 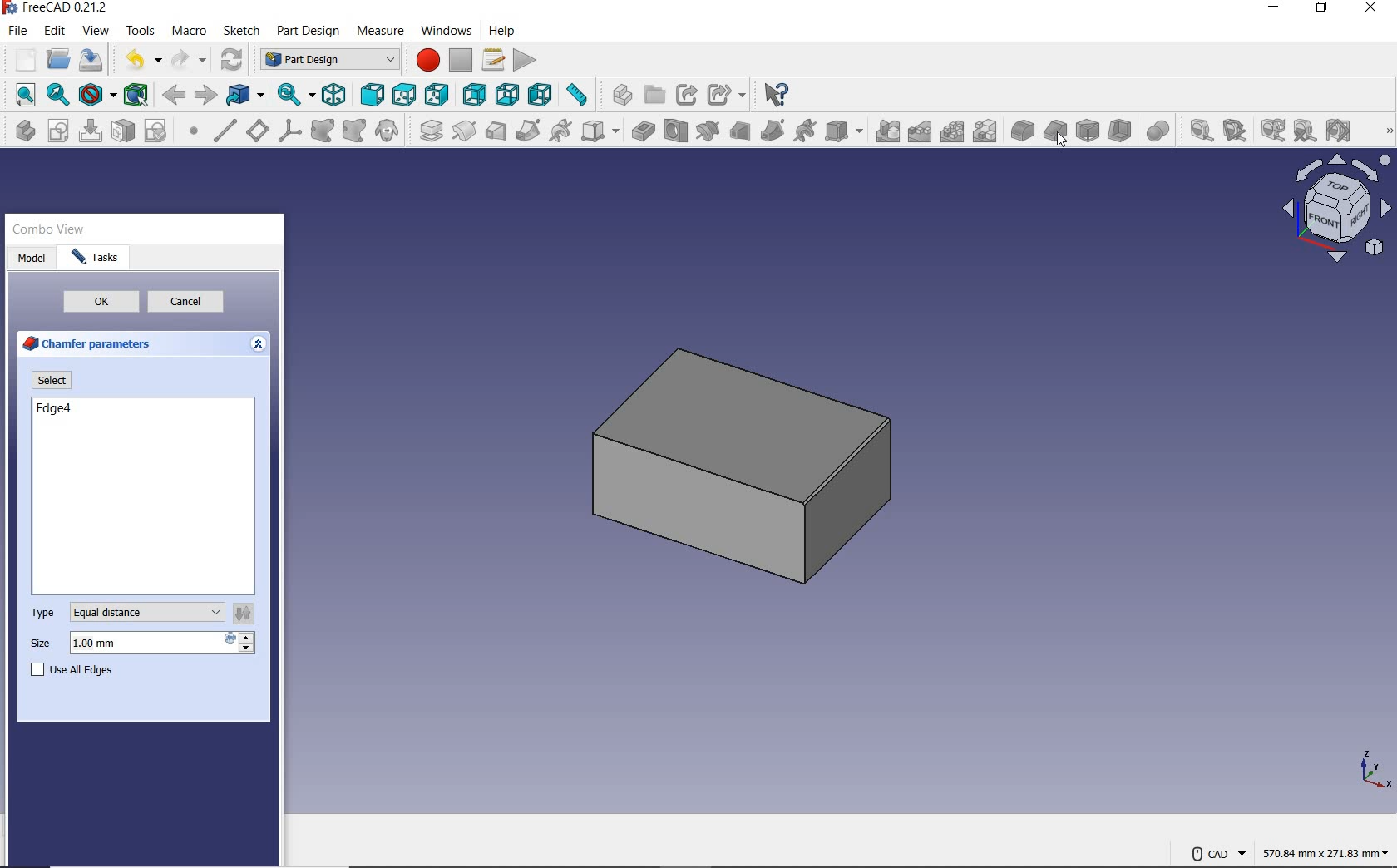 I want to click on flip direction, so click(x=248, y=613).